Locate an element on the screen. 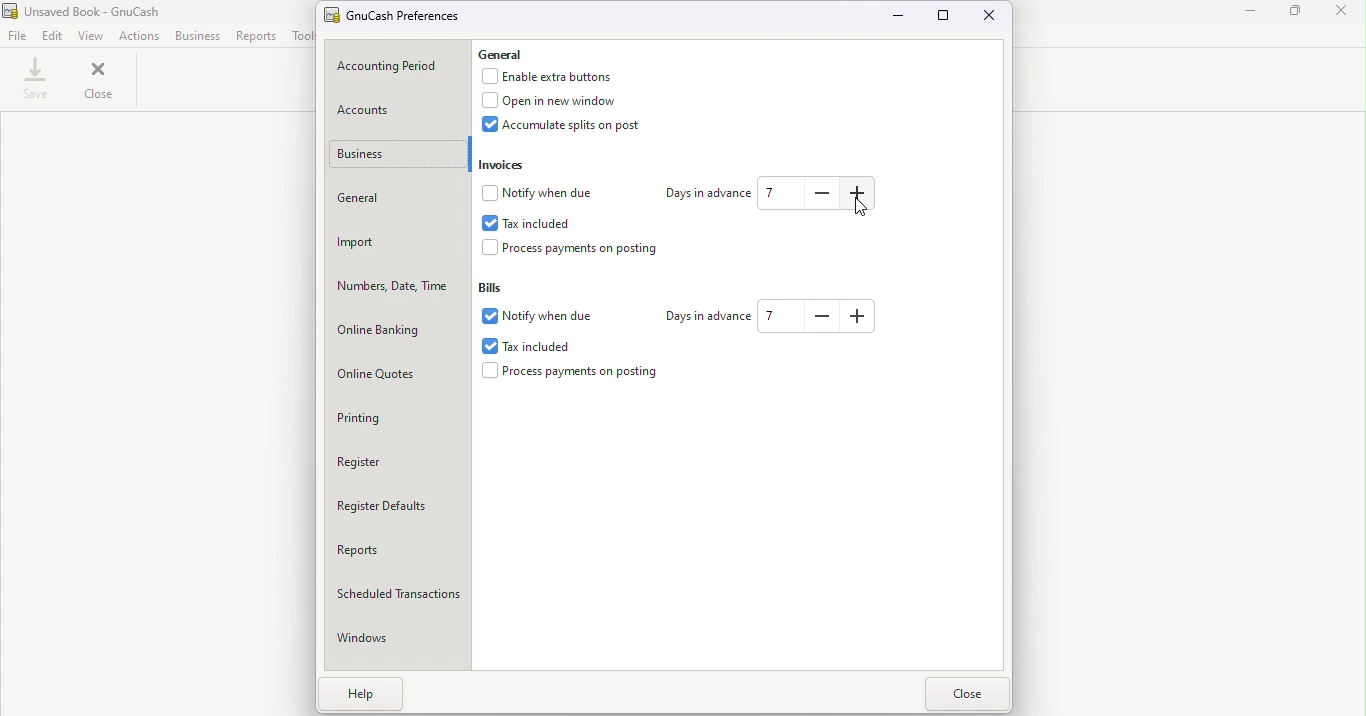  Cusror is located at coordinates (866, 213).